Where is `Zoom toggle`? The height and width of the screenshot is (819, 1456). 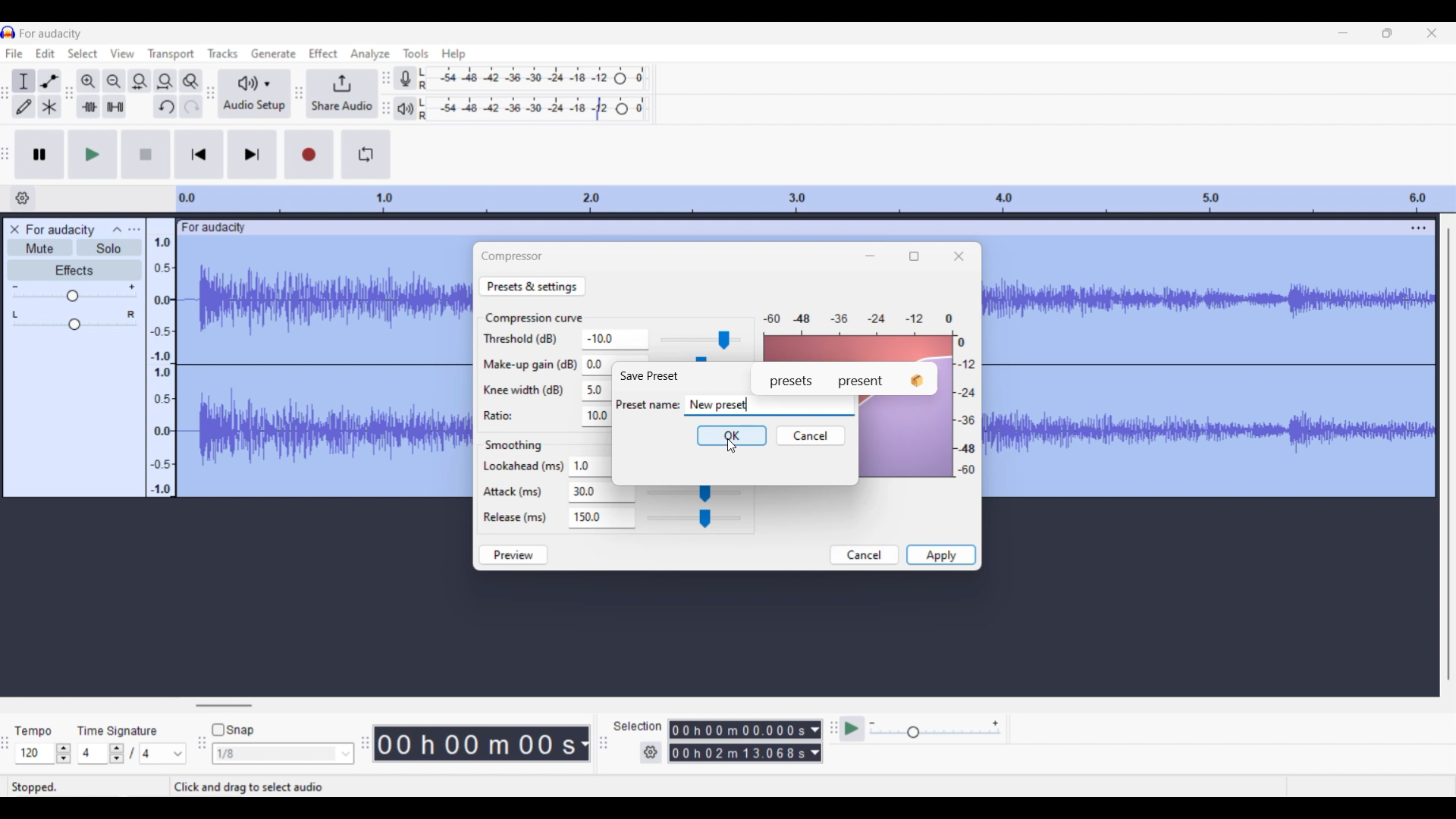
Zoom toggle is located at coordinates (190, 80).